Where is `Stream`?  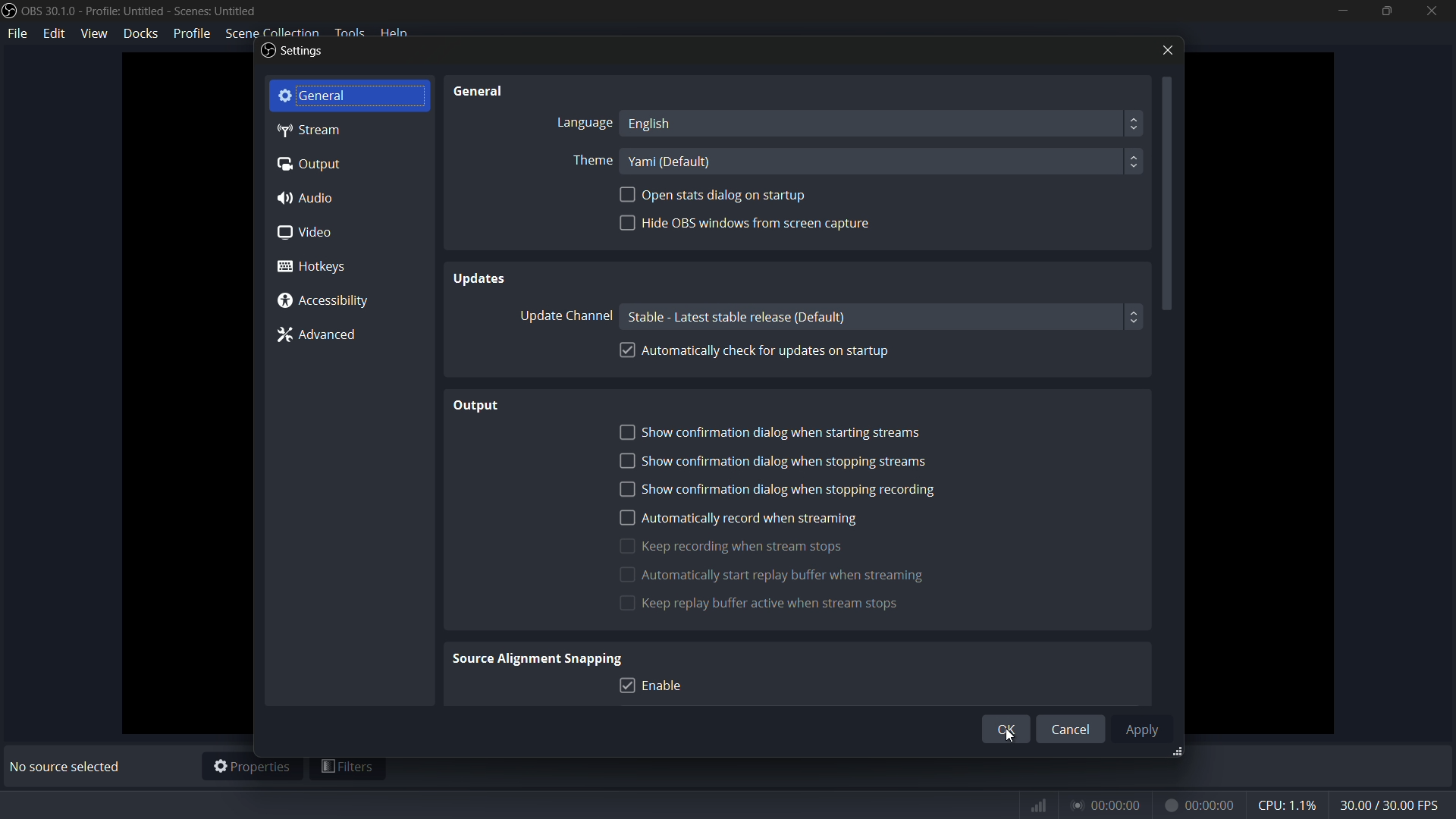
Stream is located at coordinates (322, 131).